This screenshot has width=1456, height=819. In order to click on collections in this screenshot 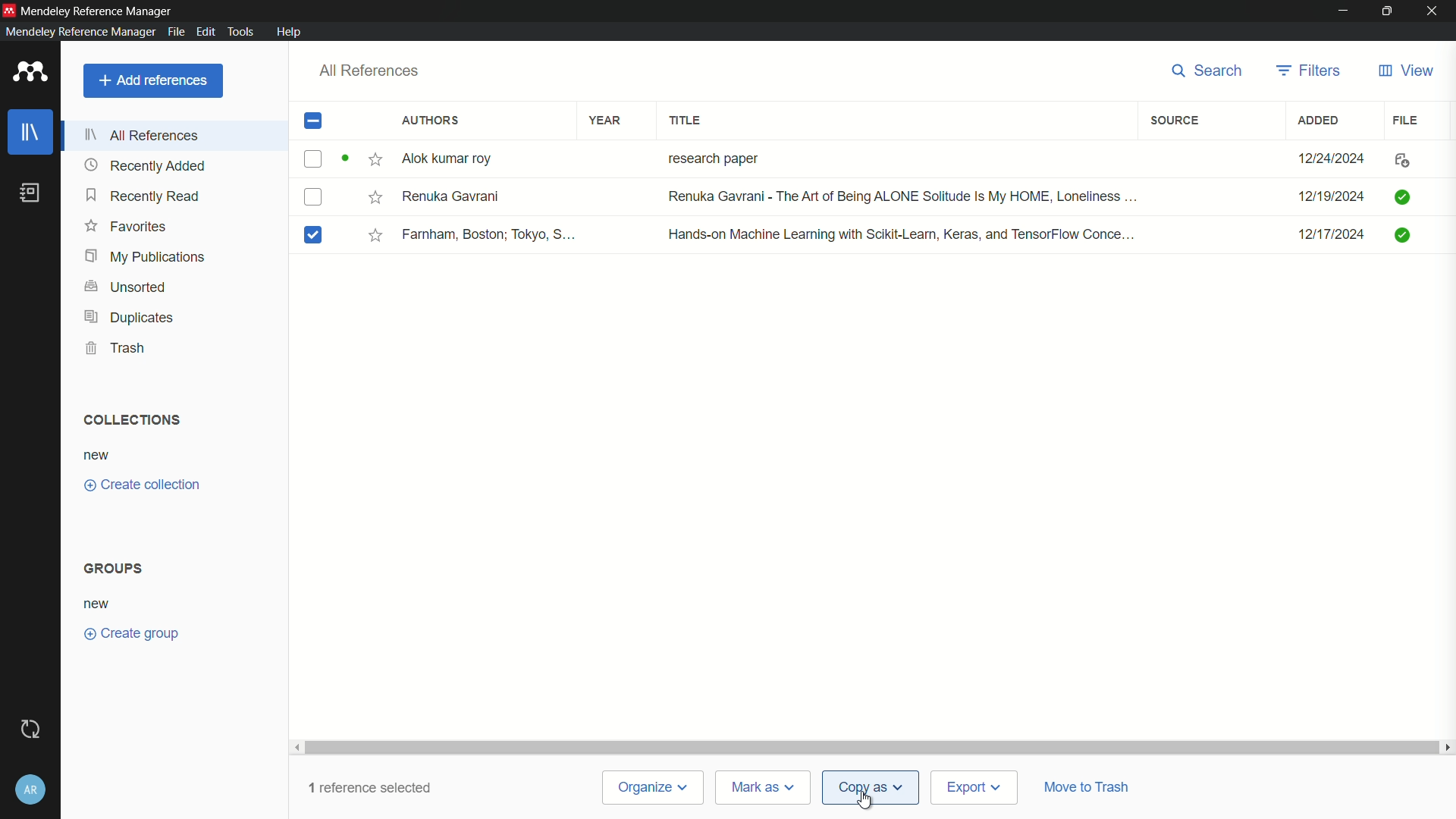, I will do `click(133, 420)`.